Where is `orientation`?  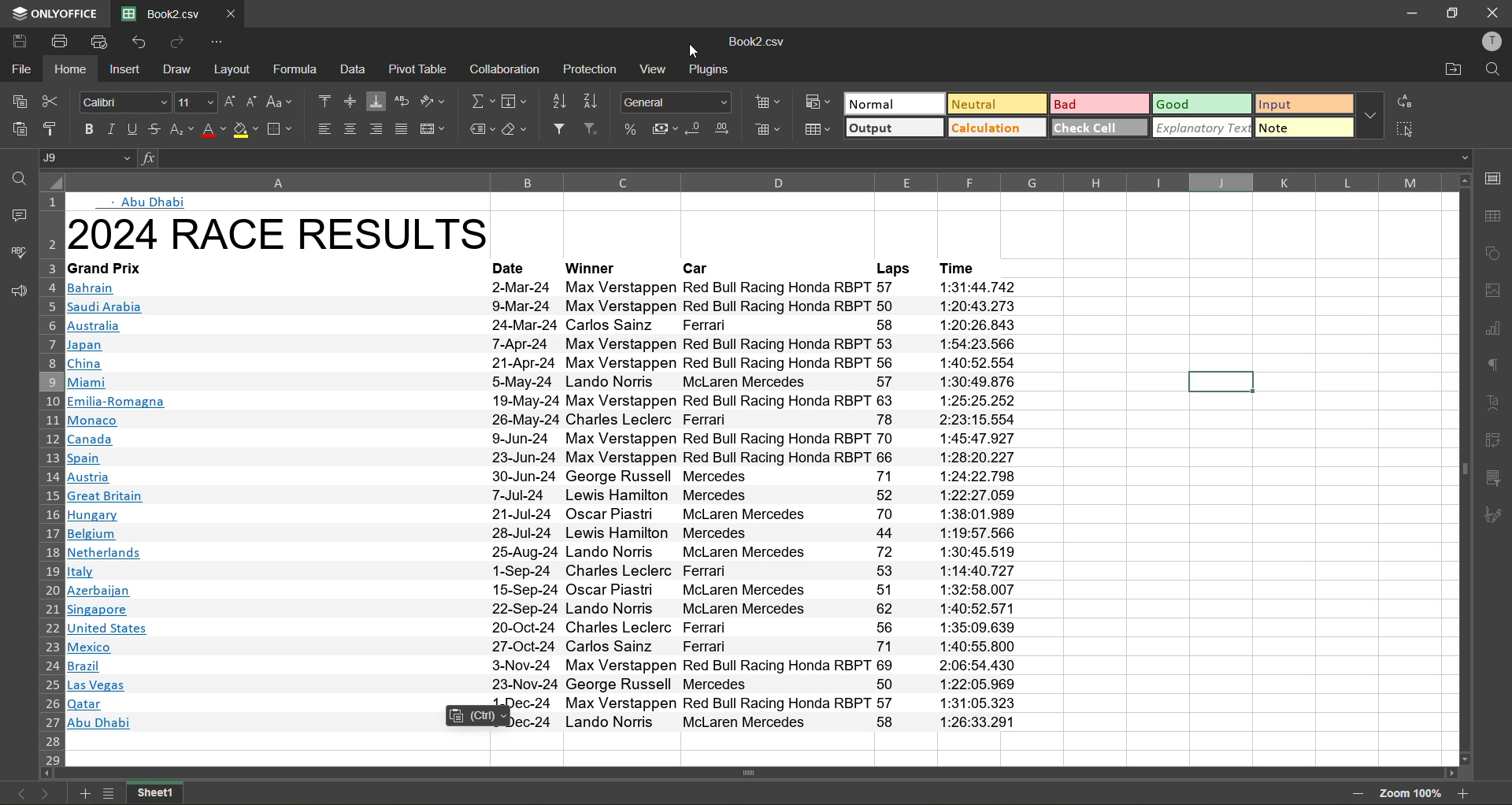 orientation is located at coordinates (435, 101).